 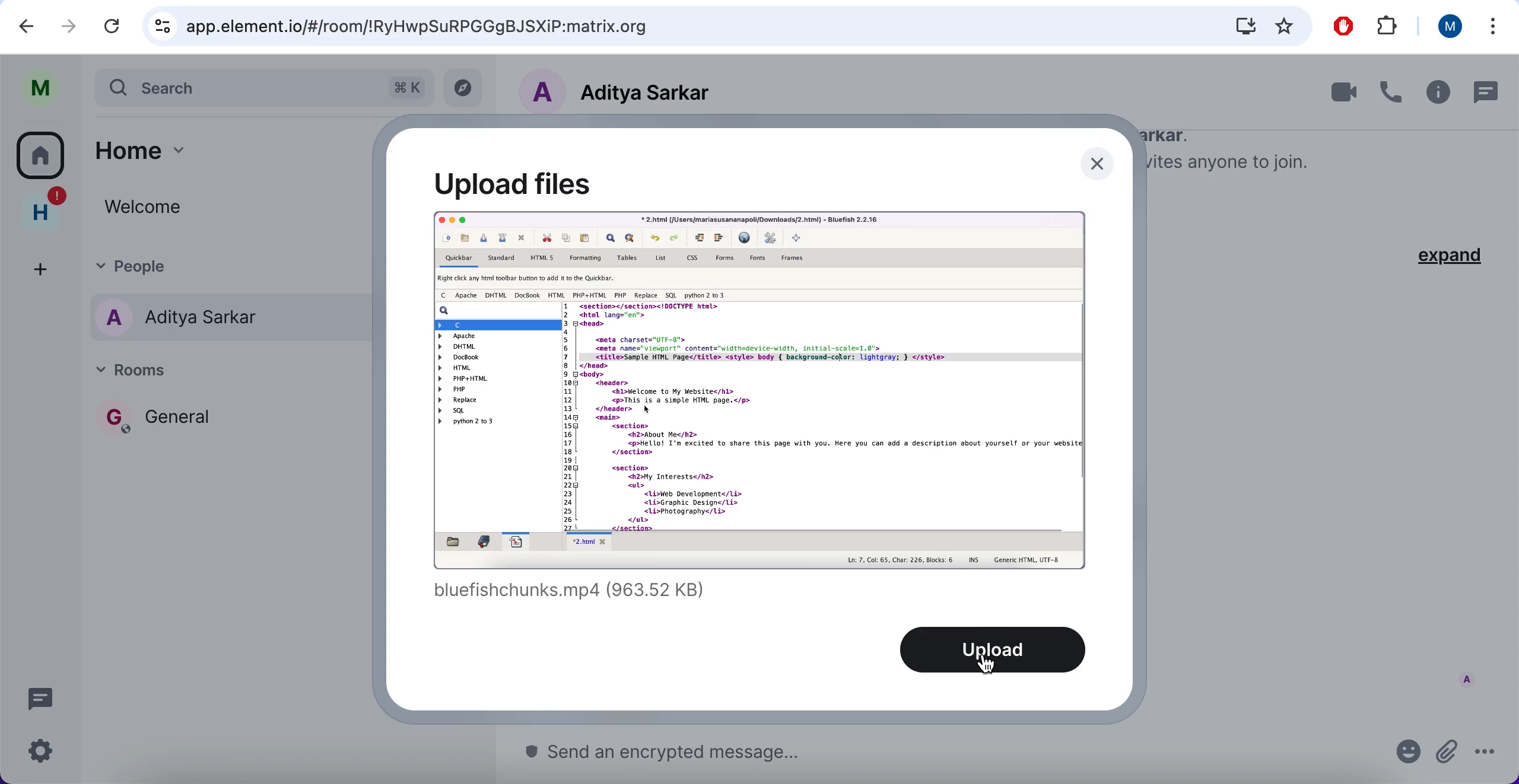 I want to click on rooms, so click(x=234, y=374).